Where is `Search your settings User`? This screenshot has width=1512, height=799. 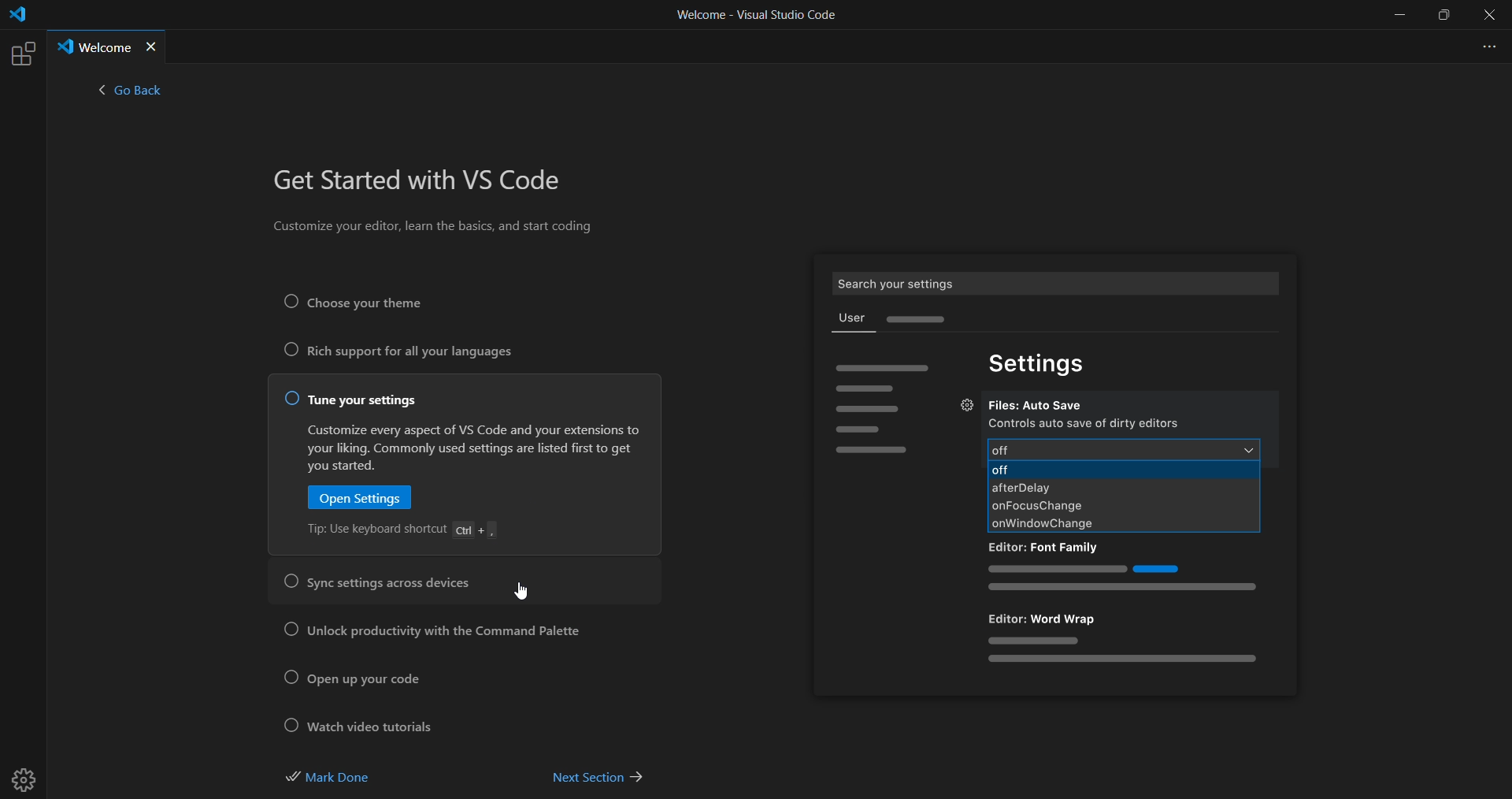 Search your settings User is located at coordinates (1054, 283).